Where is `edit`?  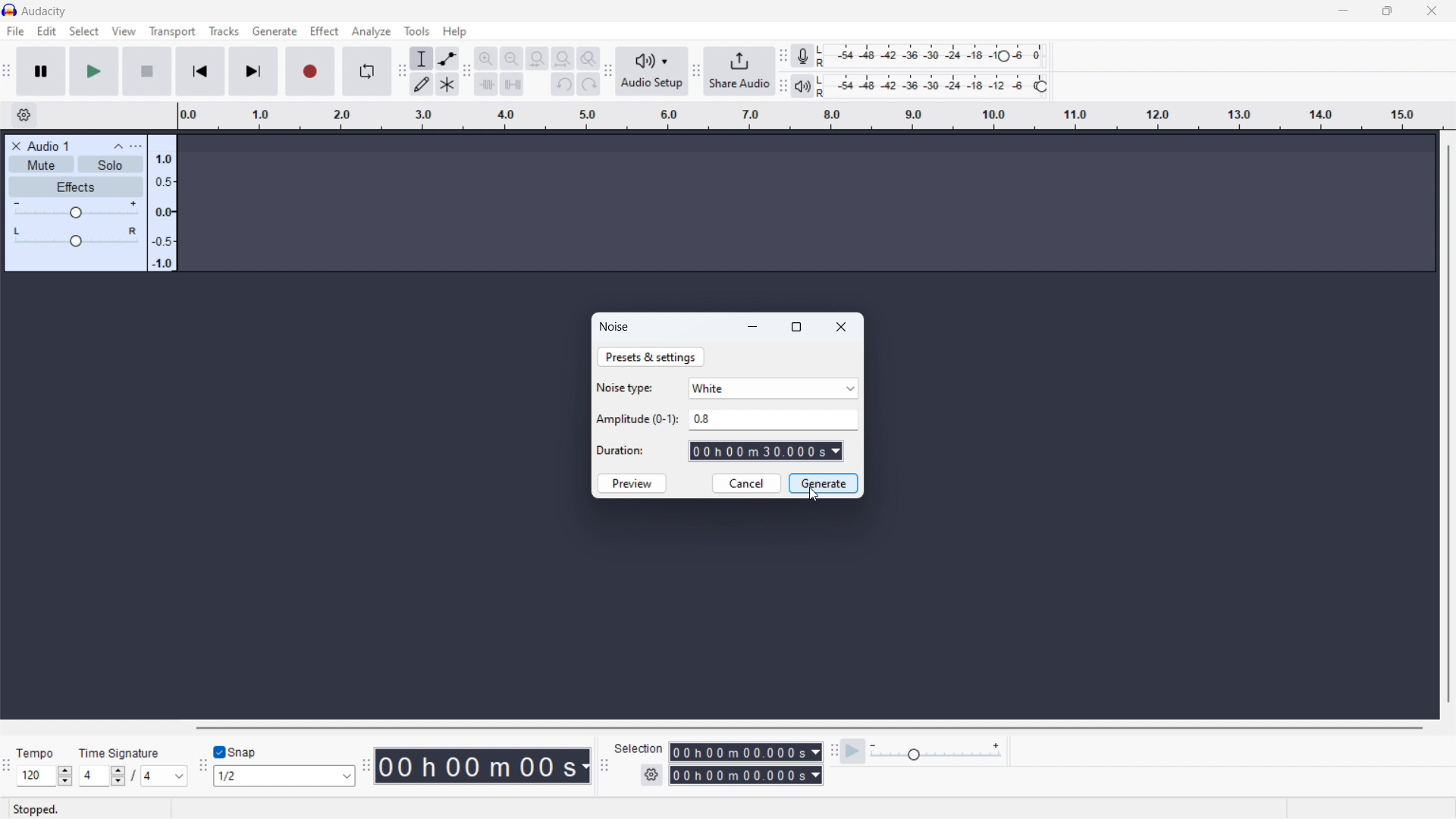 edit is located at coordinates (46, 31).